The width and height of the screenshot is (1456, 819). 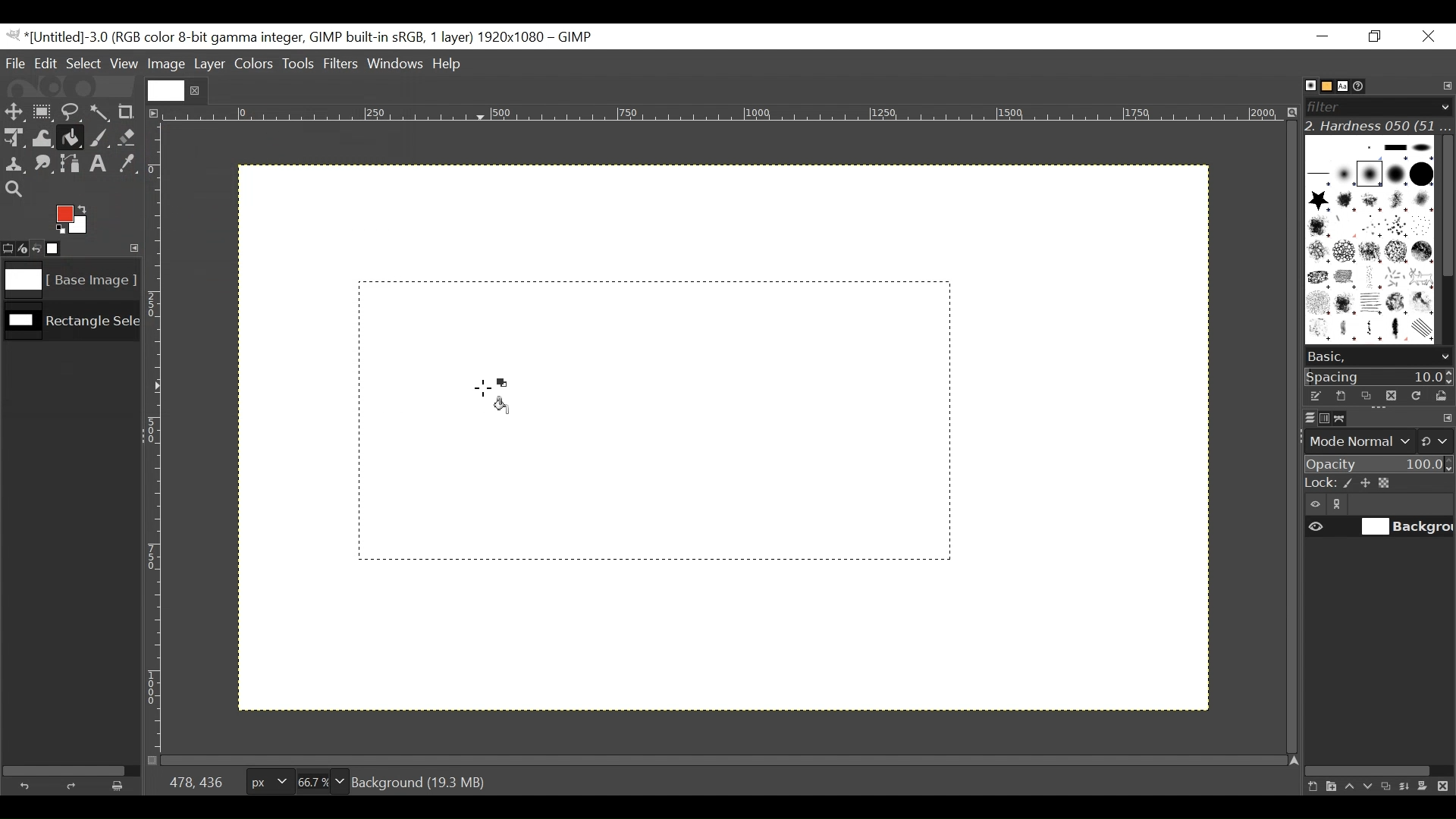 What do you see at coordinates (14, 188) in the screenshot?
I see `Zoom tool` at bounding box center [14, 188].